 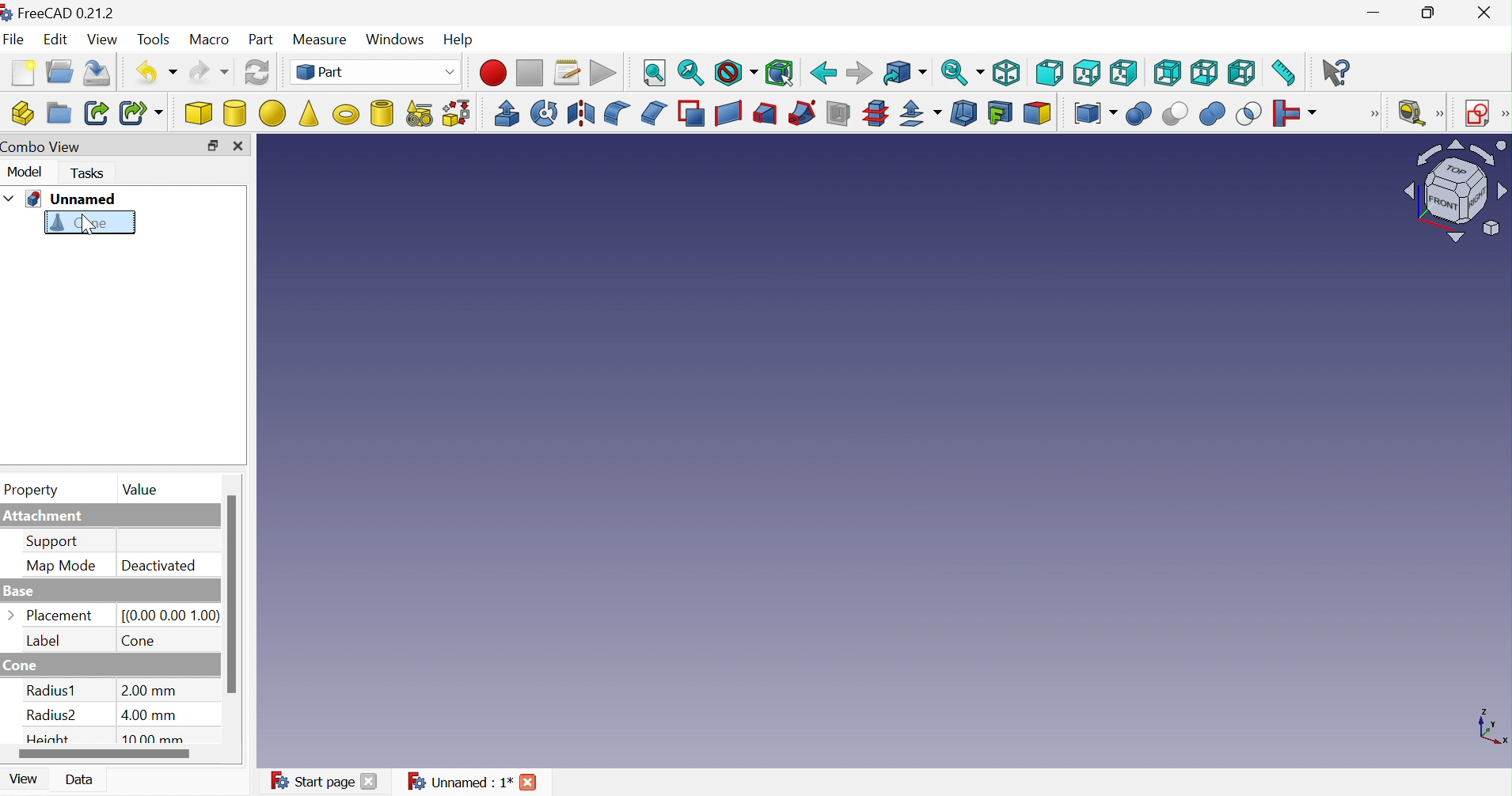 What do you see at coordinates (875, 114) in the screenshot?
I see `Sub-sections` at bounding box center [875, 114].